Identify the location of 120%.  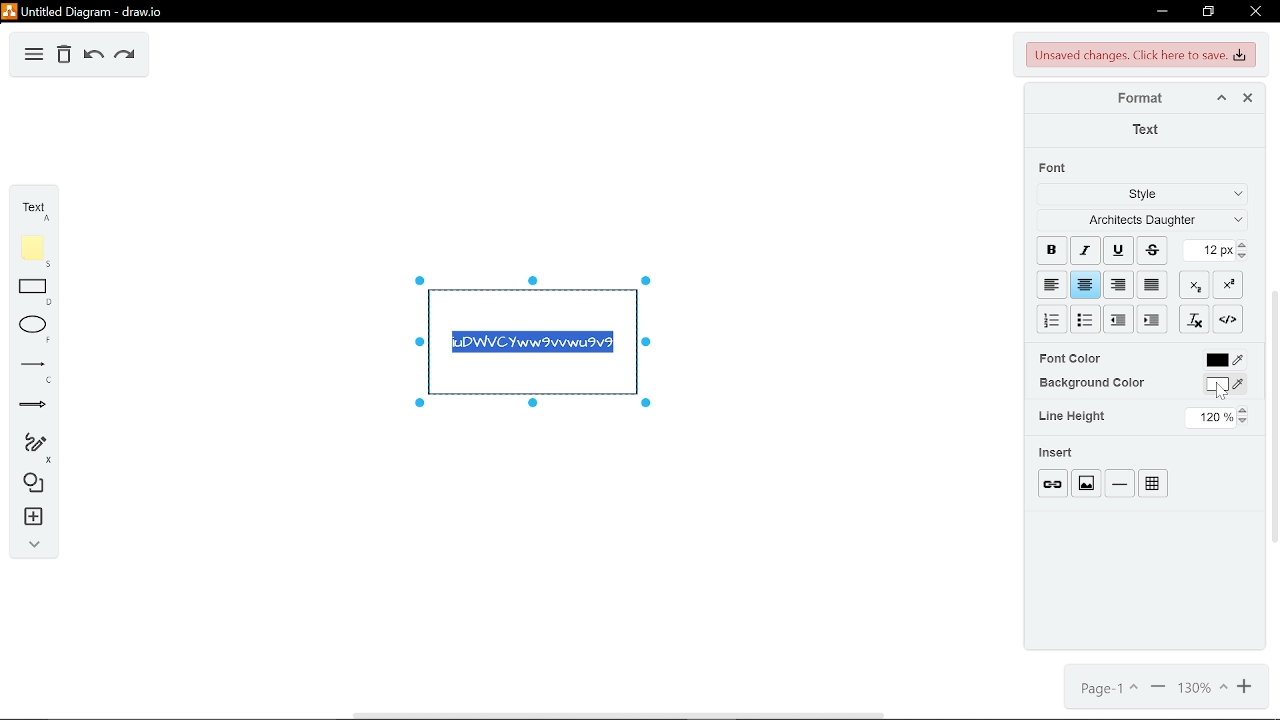
(1210, 417).